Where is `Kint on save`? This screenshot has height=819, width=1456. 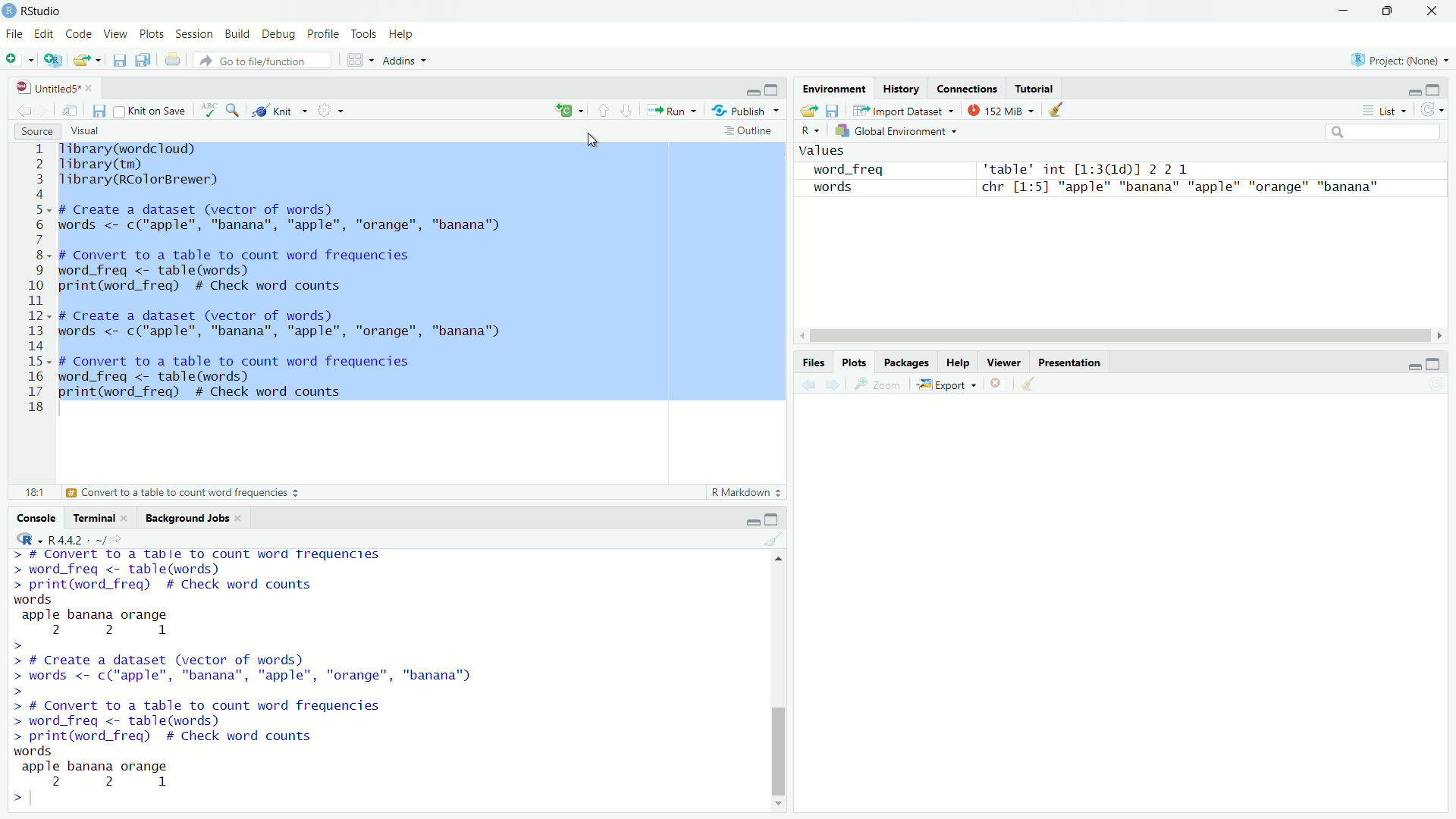
Kint on save is located at coordinates (149, 111).